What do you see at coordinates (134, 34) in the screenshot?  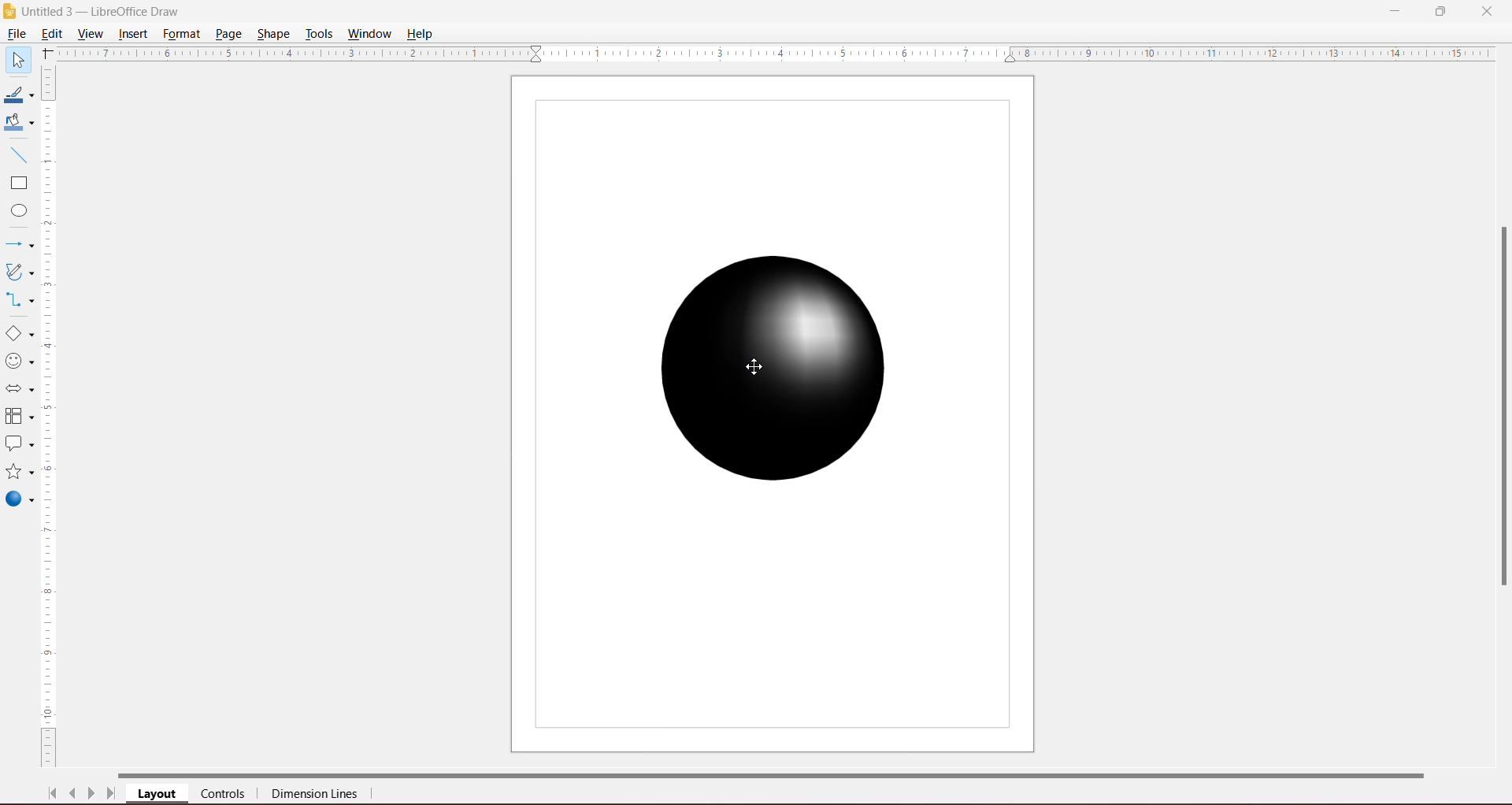 I see `Insert` at bounding box center [134, 34].